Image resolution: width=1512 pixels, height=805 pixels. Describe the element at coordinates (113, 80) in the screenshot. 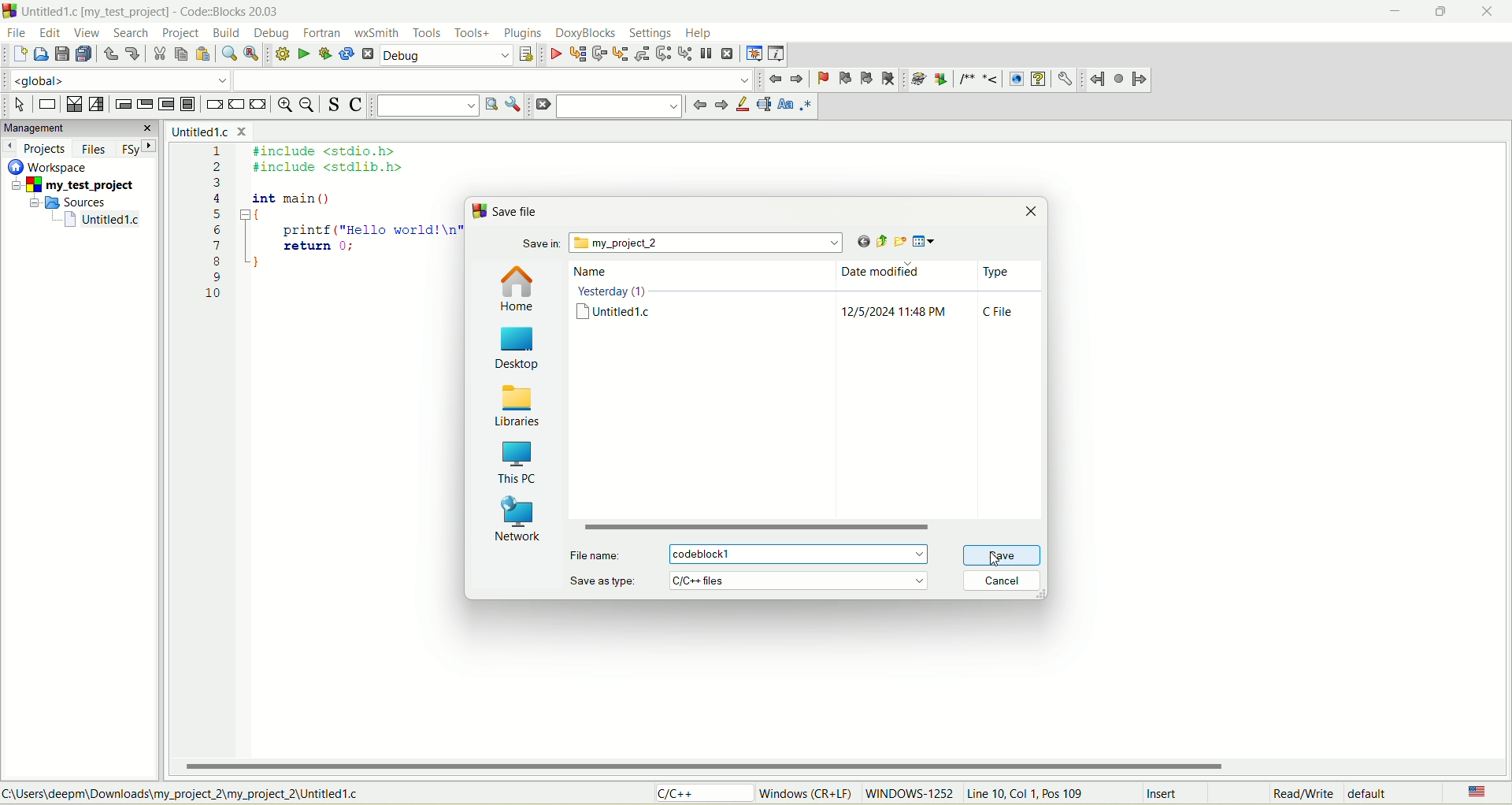

I see `global` at that location.